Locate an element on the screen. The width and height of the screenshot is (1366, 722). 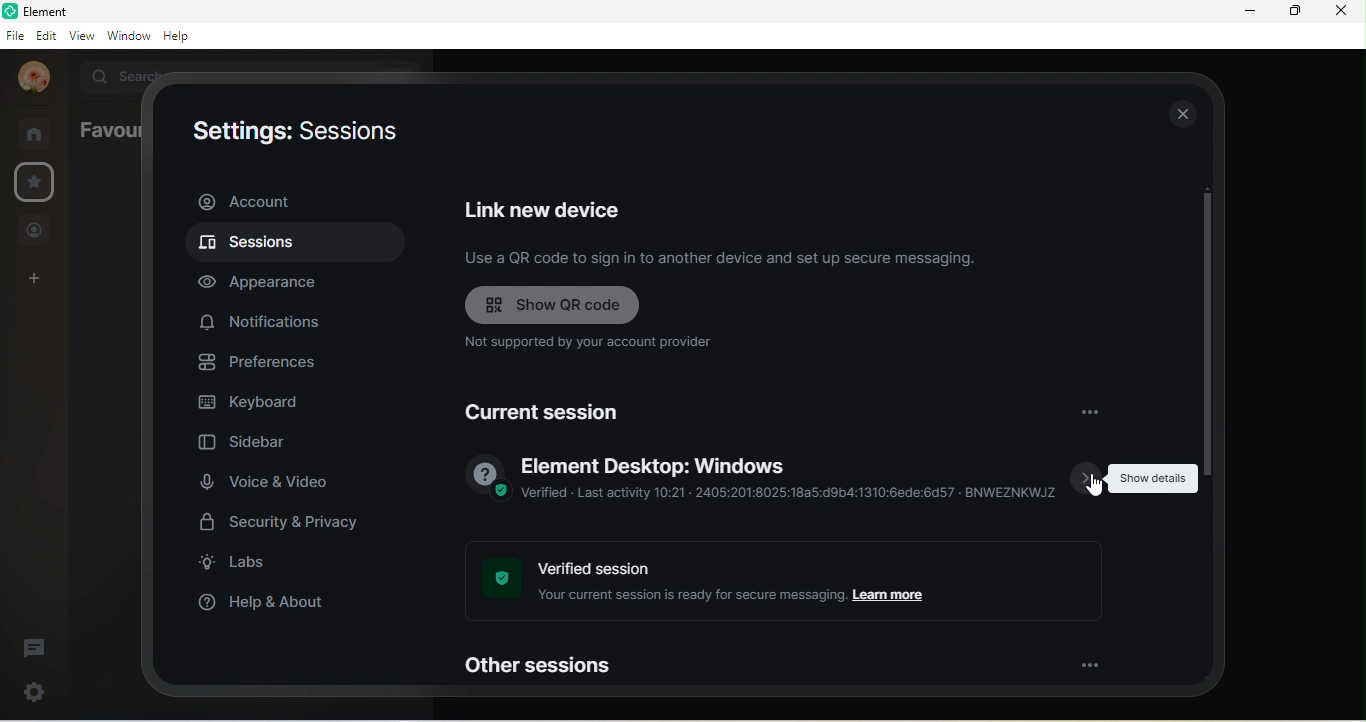
link new device is located at coordinates (541, 210).